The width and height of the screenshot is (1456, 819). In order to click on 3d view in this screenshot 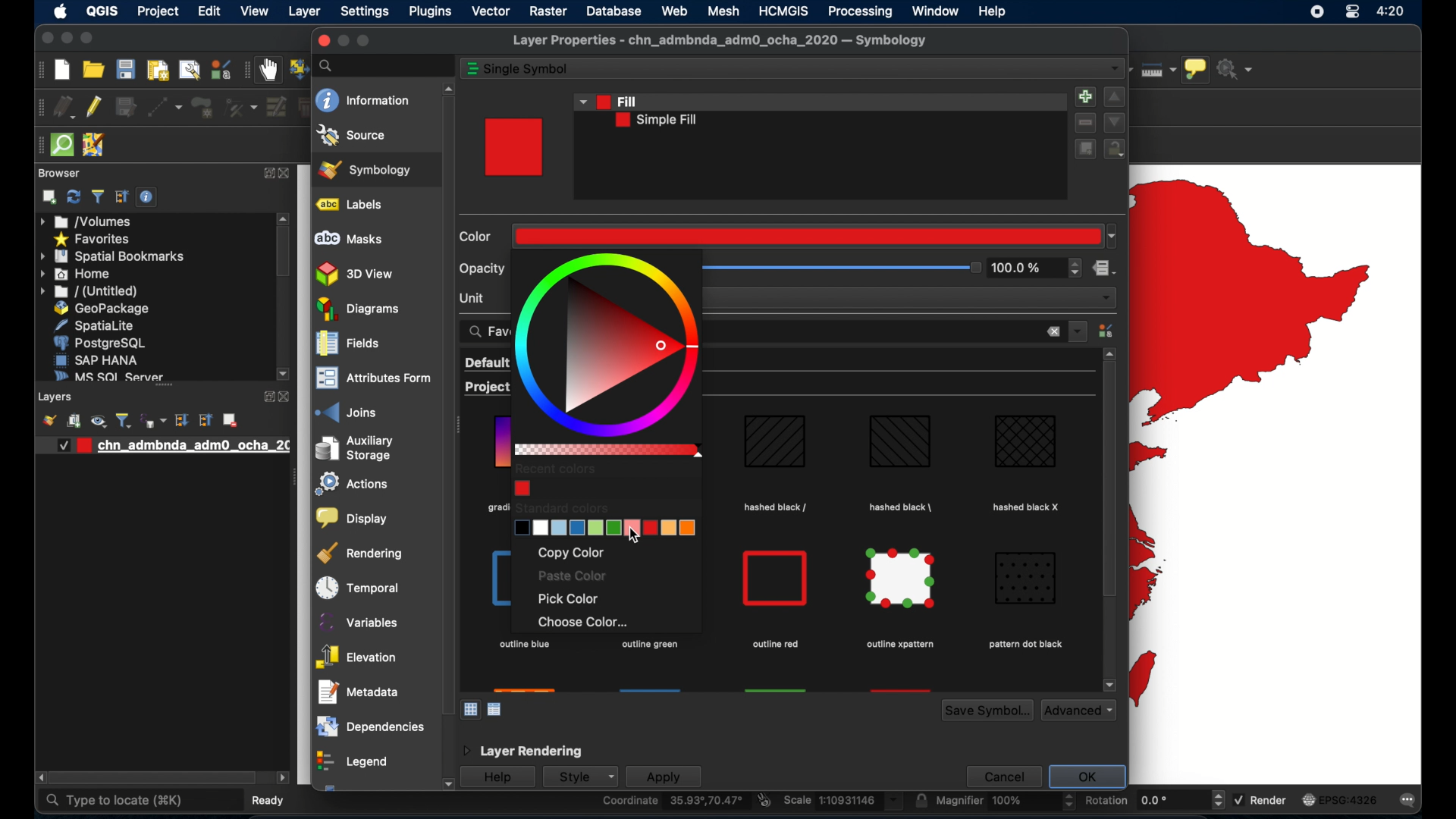, I will do `click(356, 274)`.